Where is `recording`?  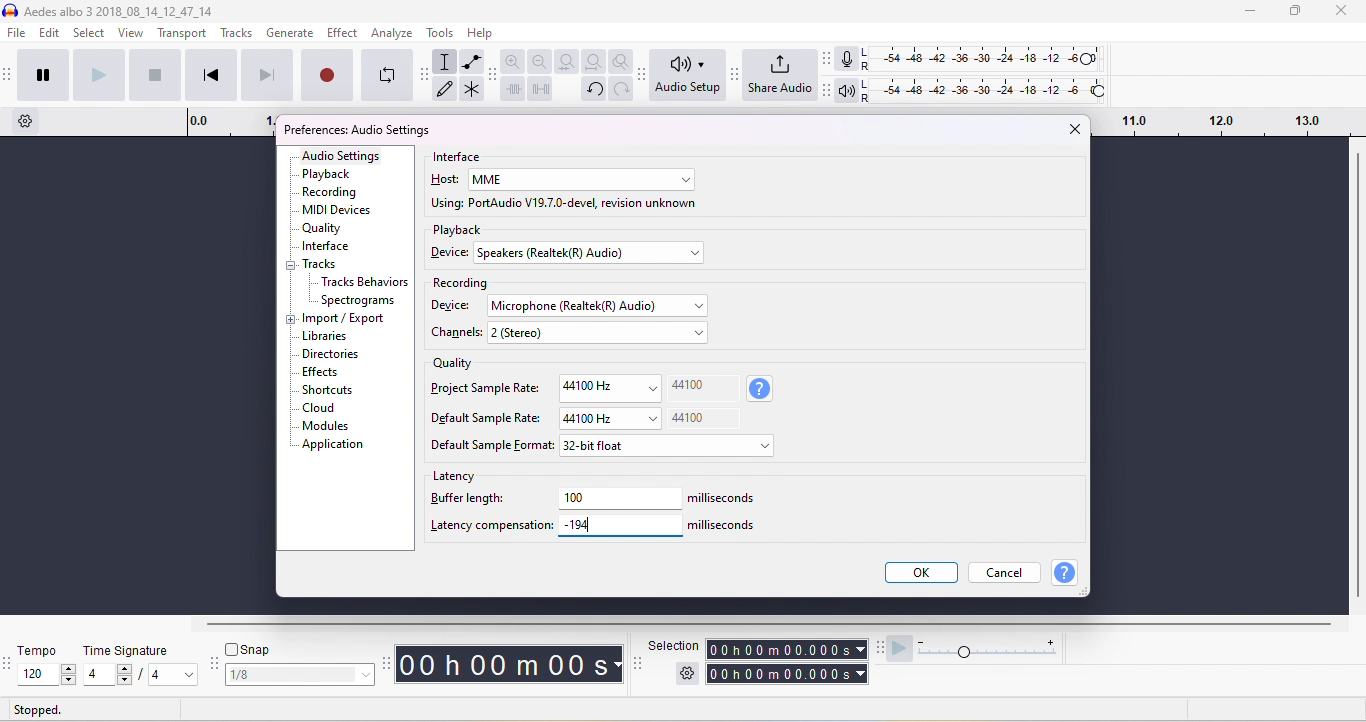
recording is located at coordinates (459, 284).